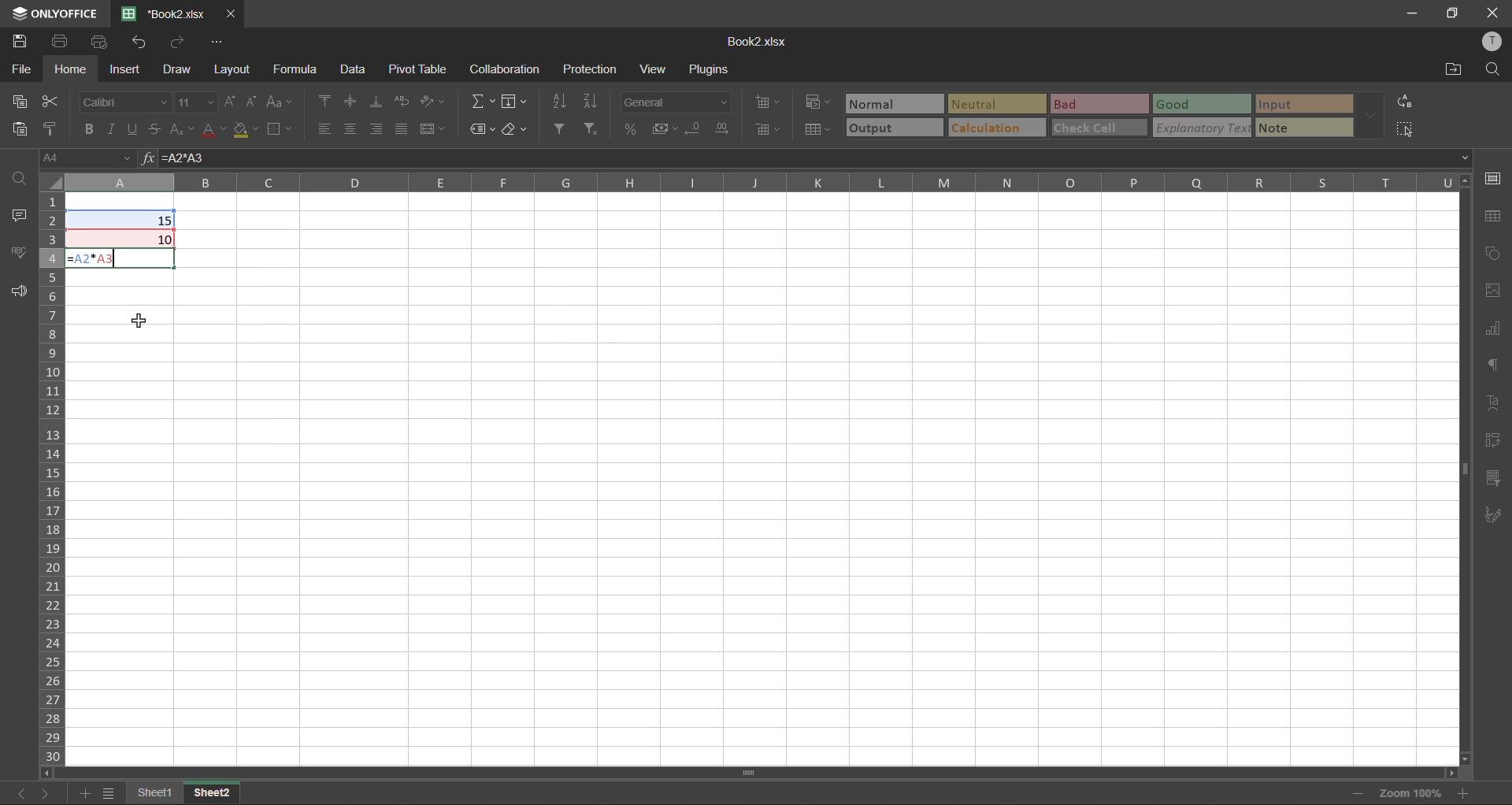 This screenshot has height=805, width=1512. What do you see at coordinates (764, 104) in the screenshot?
I see `insert cells` at bounding box center [764, 104].